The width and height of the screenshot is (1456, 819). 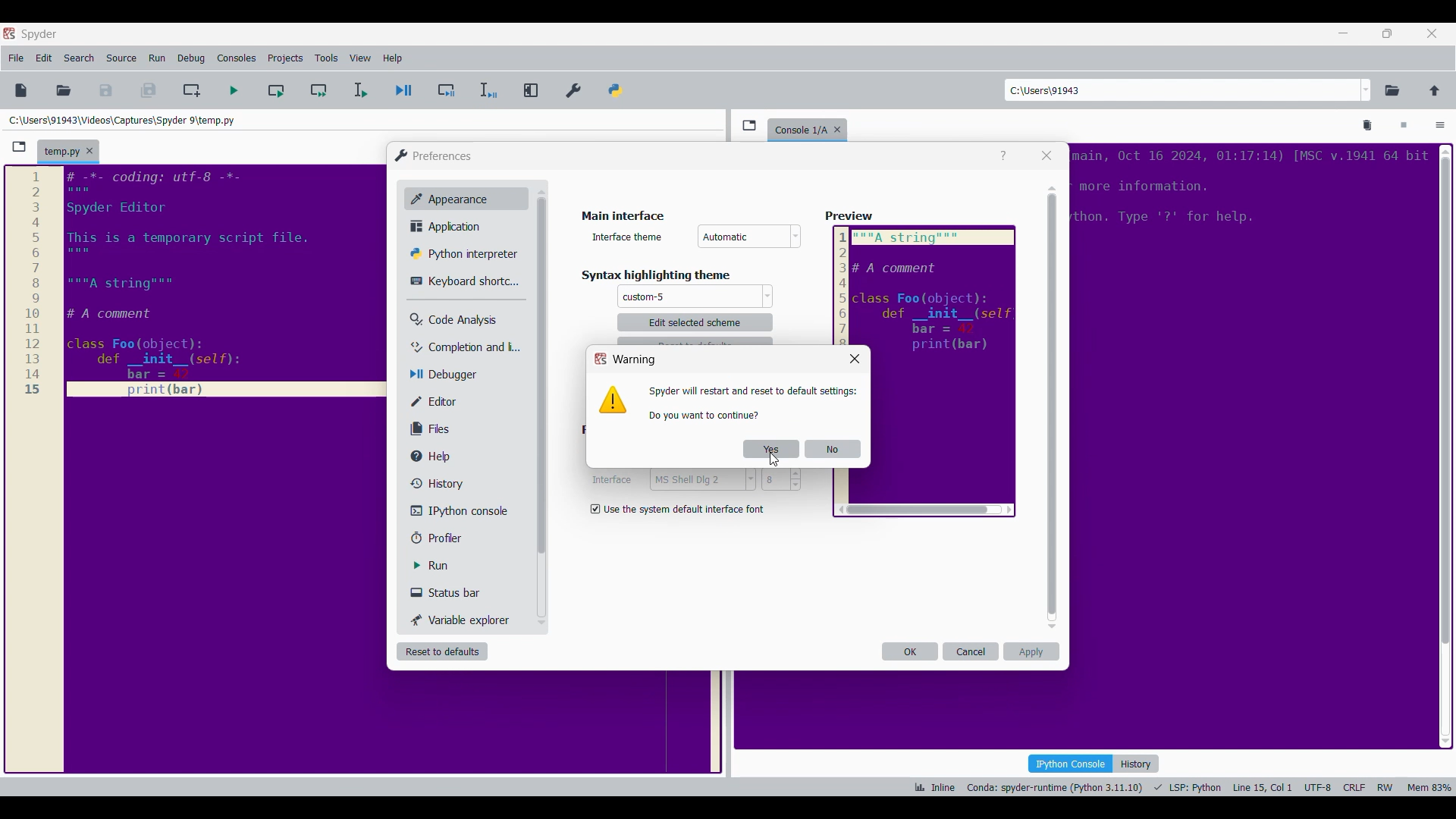 What do you see at coordinates (234, 90) in the screenshot?
I see `Run file` at bounding box center [234, 90].